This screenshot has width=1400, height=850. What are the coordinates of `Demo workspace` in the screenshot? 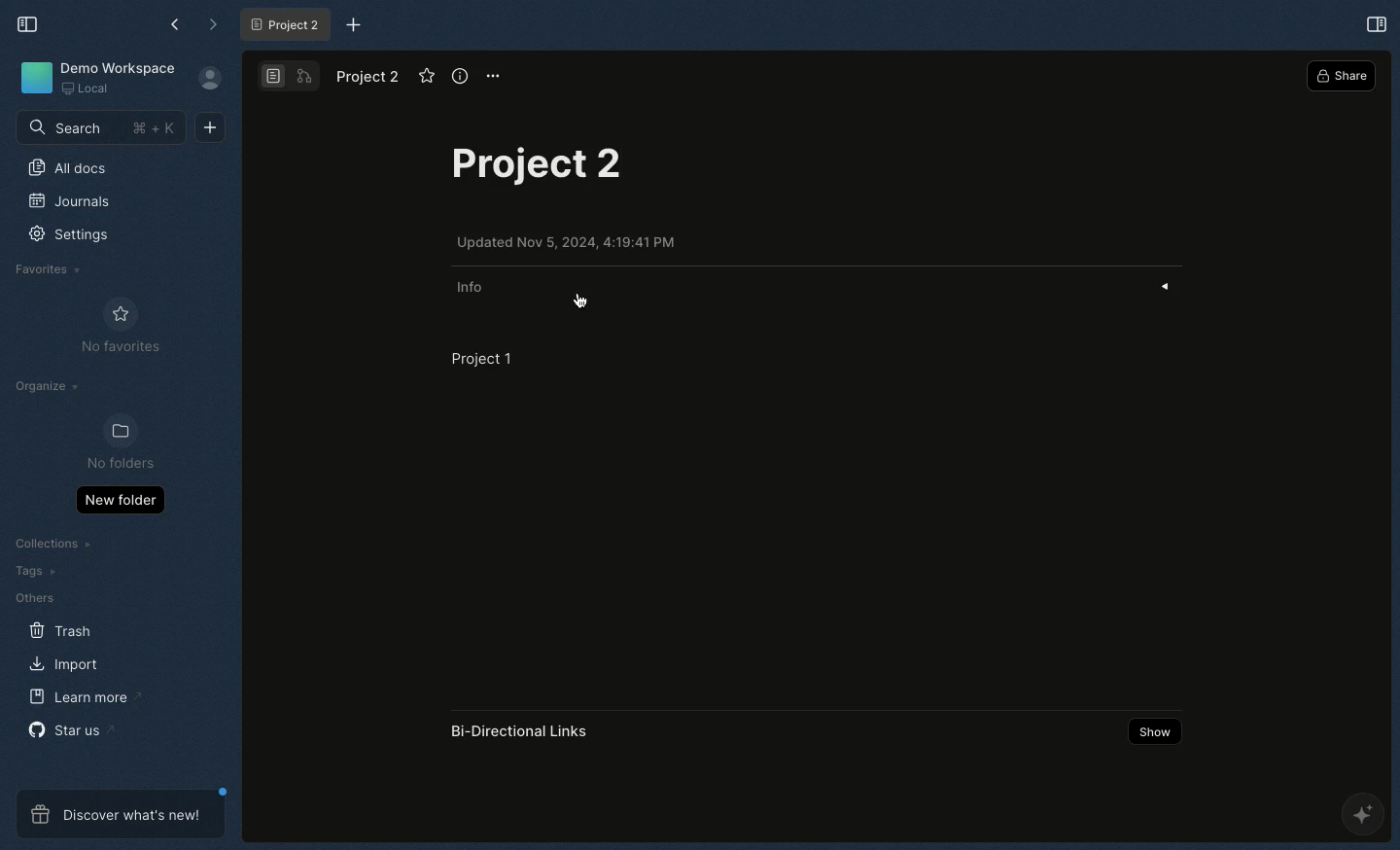 It's located at (118, 65).